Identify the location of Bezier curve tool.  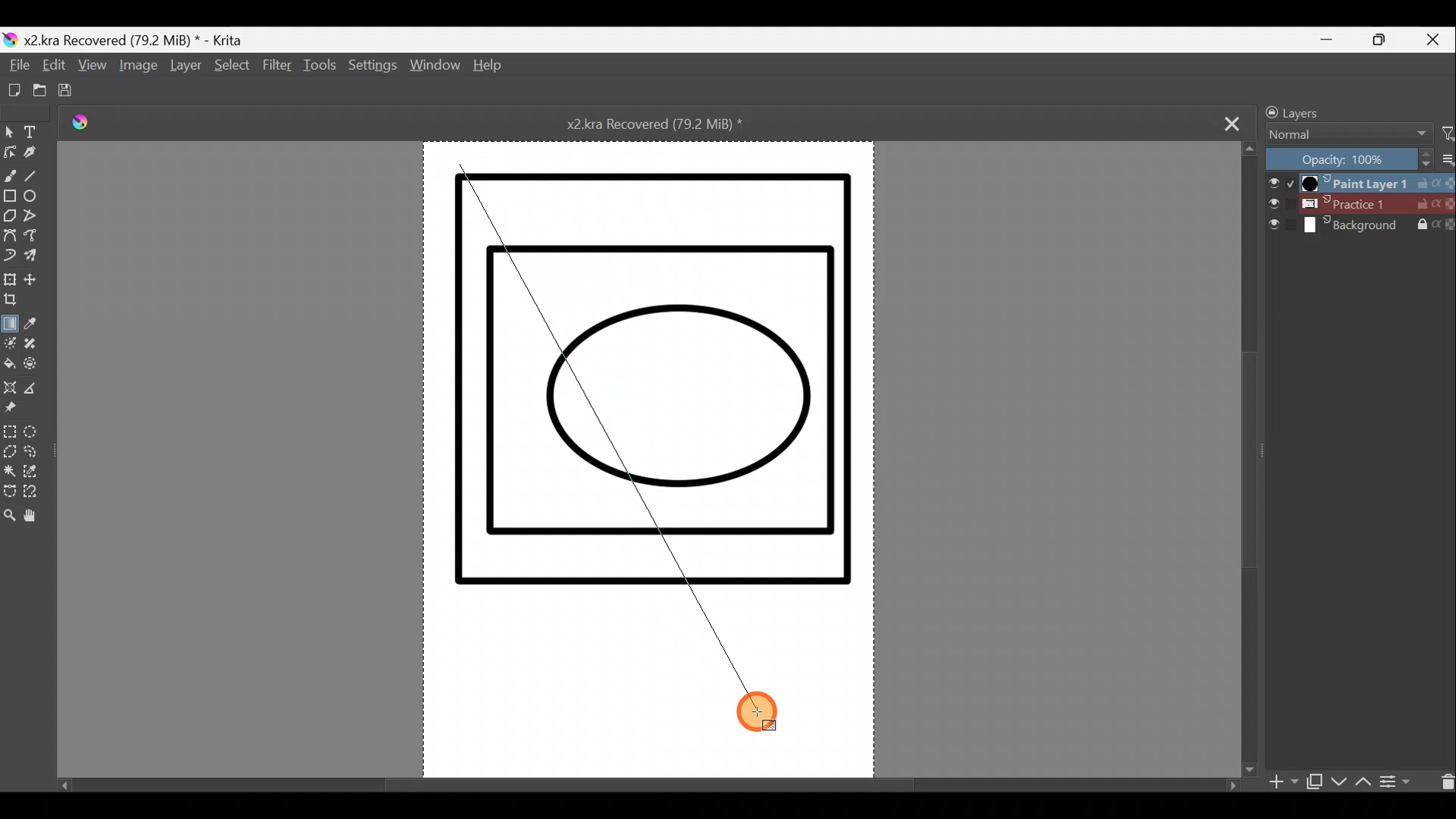
(10, 237).